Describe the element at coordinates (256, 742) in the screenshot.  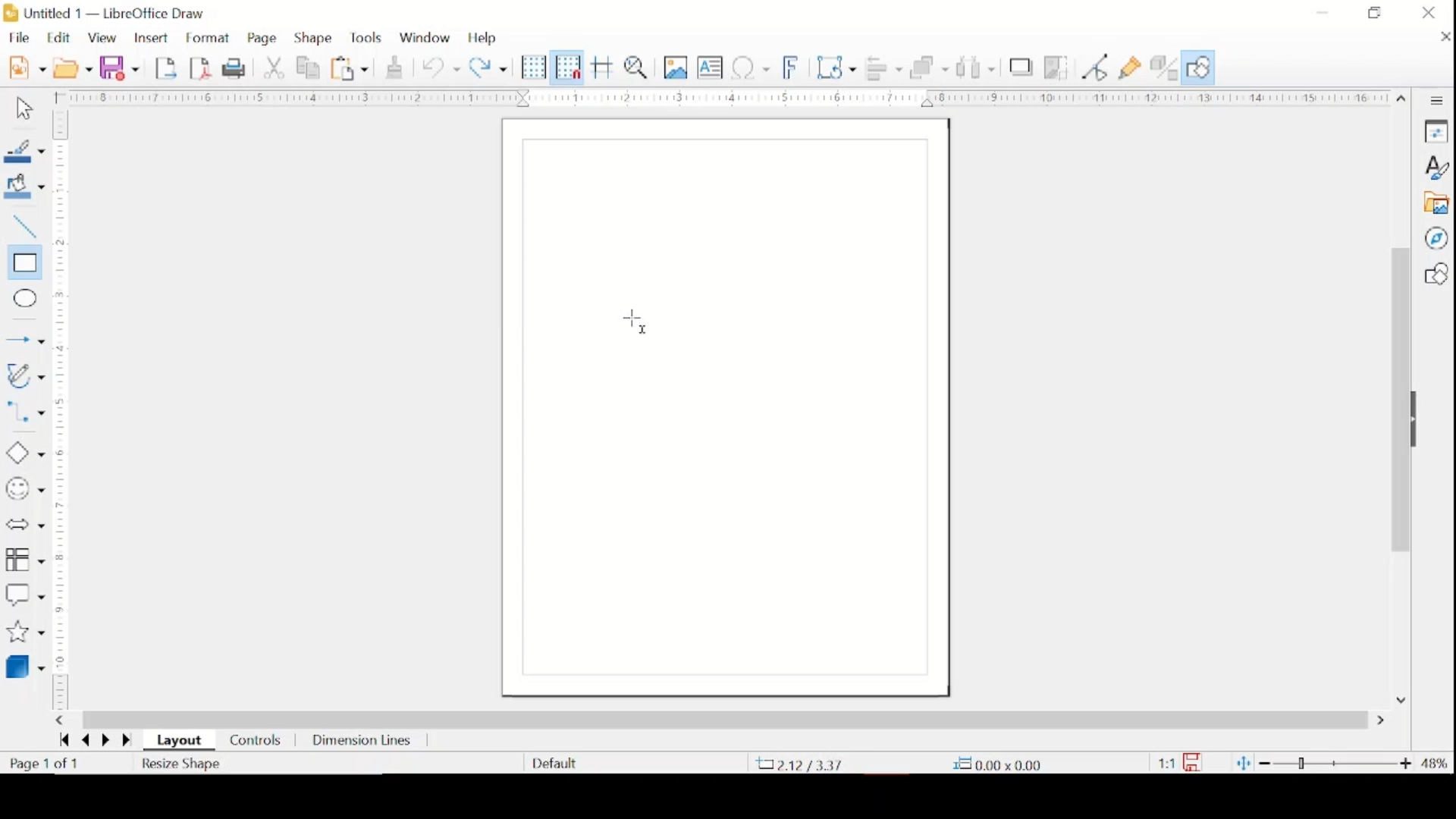
I see `controls` at that location.